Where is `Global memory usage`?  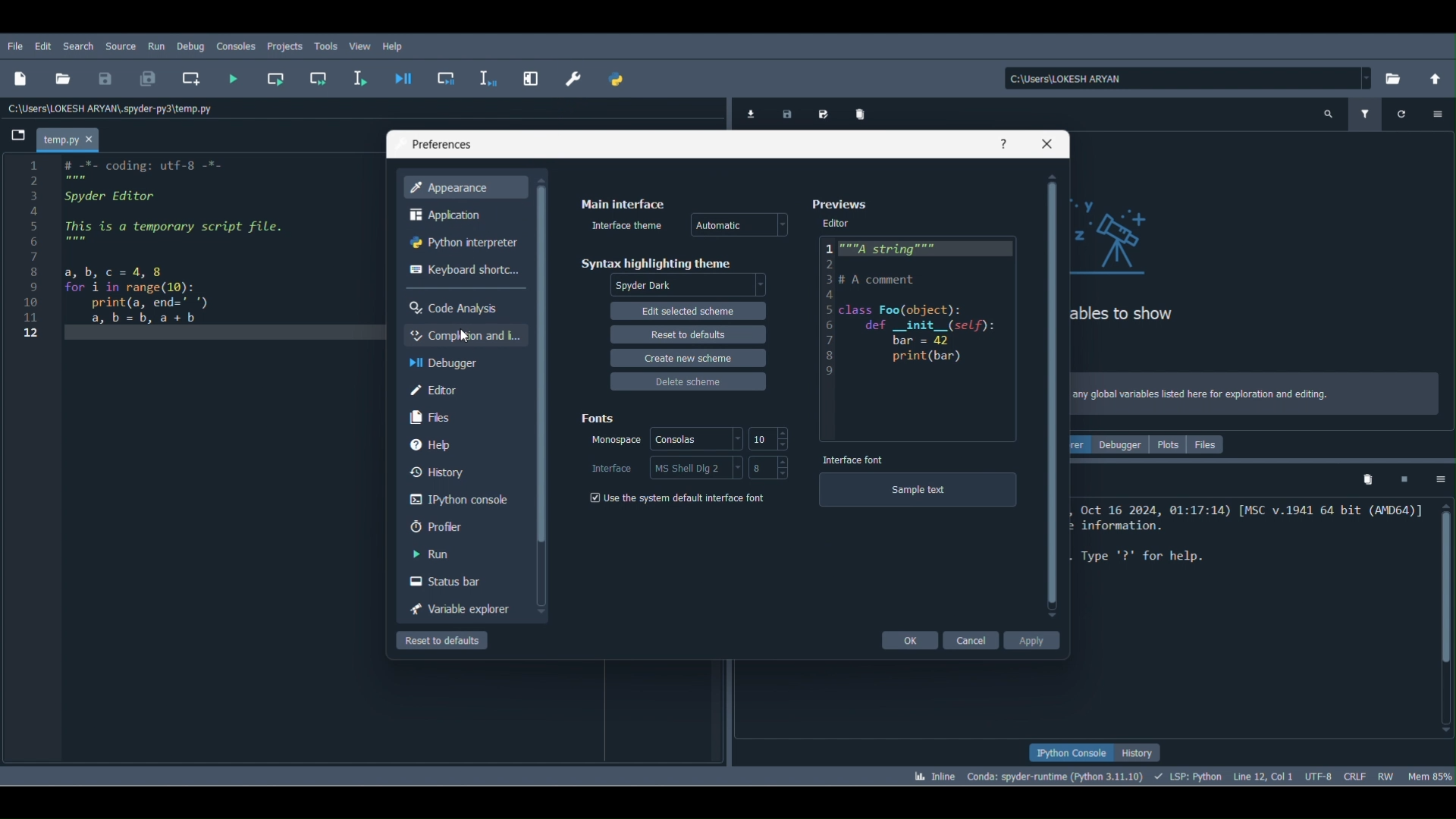 Global memory usage is located at coordinates (1430, 775).